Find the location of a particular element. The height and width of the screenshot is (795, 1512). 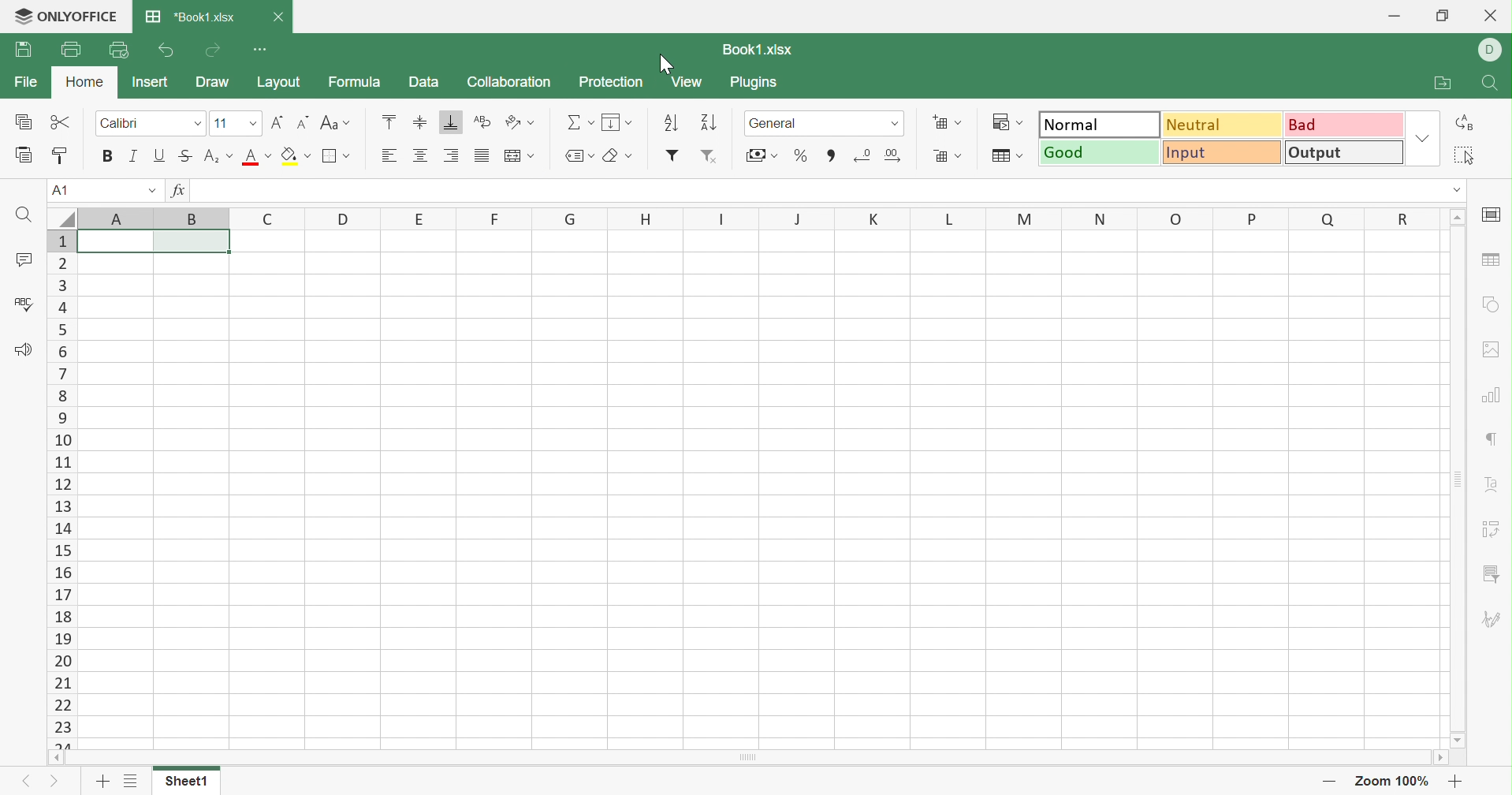

11 is located at coordinates (222, 124).